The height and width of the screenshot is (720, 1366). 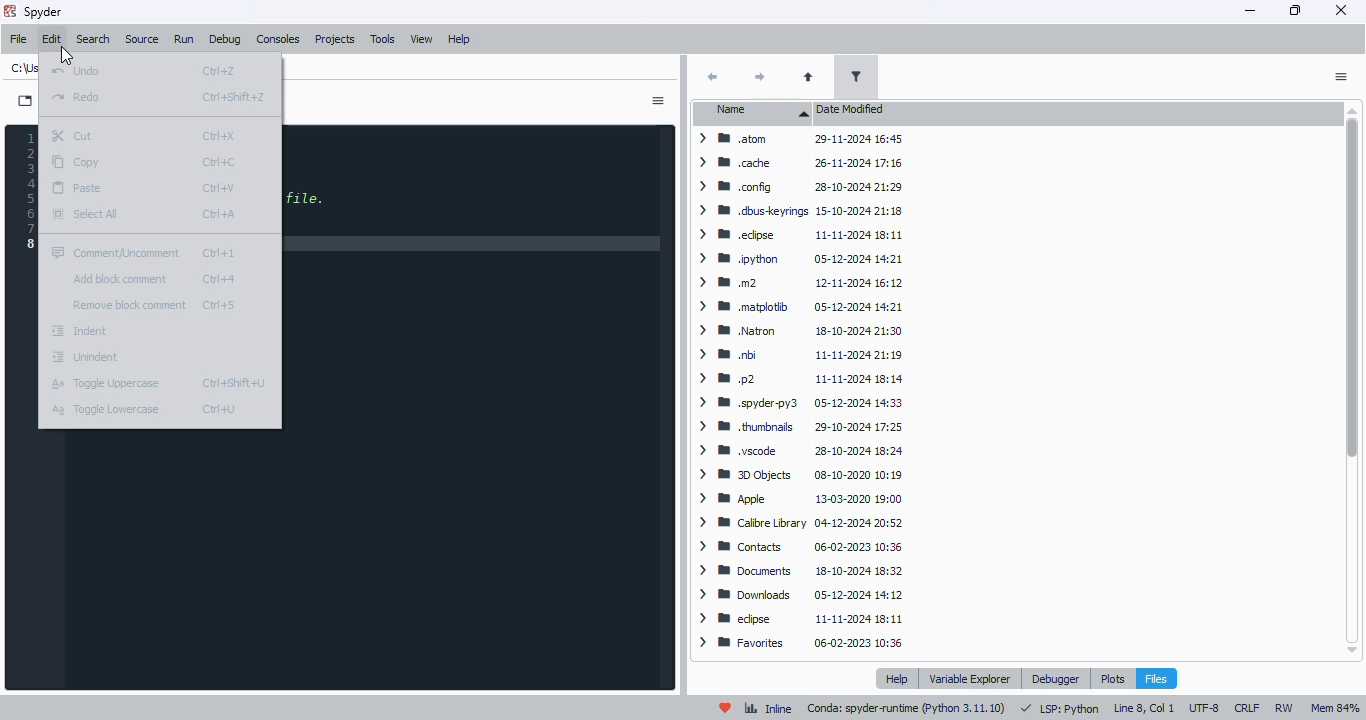 I want to click on parent, so click(x=807, y=78).